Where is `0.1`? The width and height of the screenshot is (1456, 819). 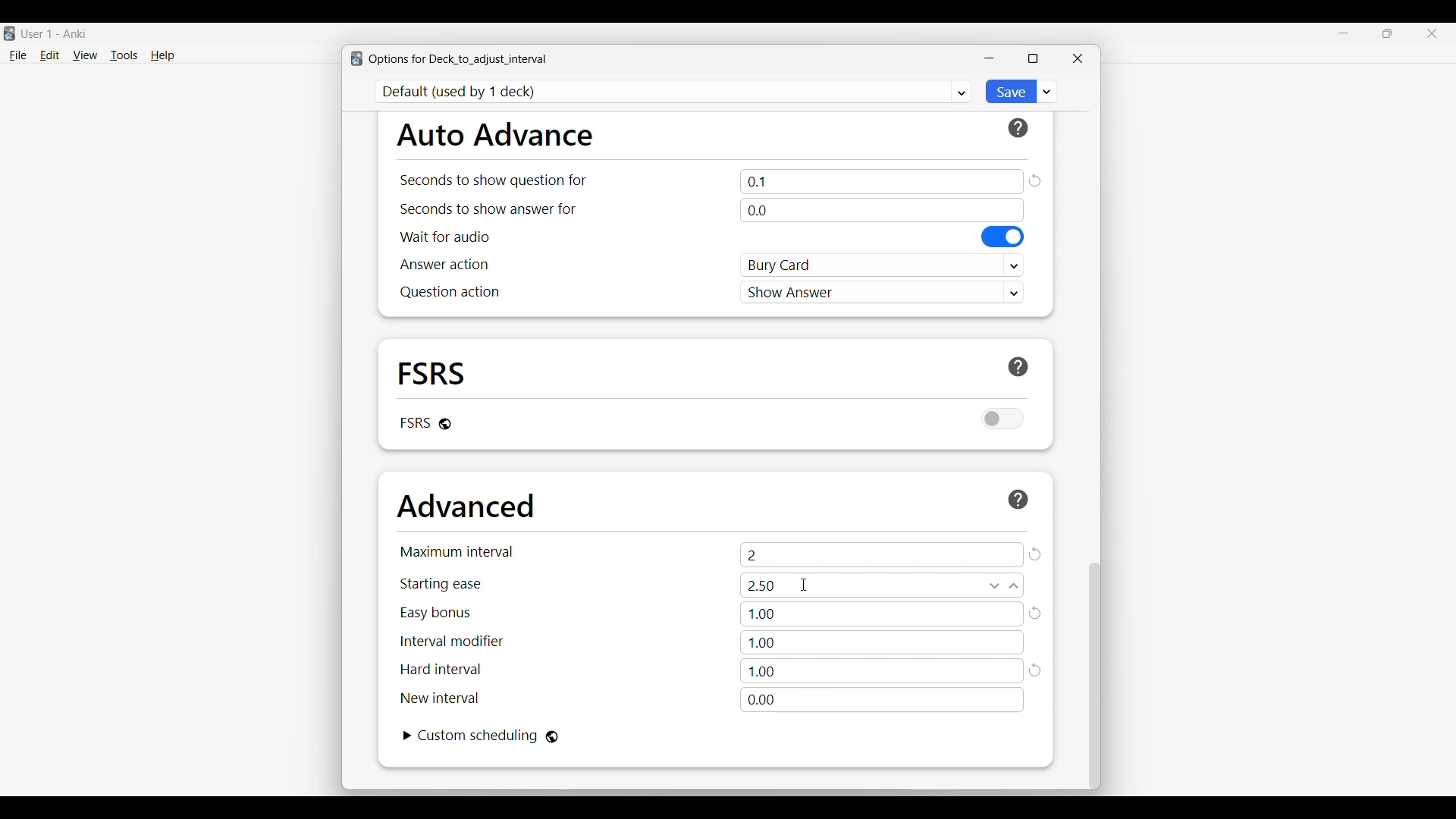
0.1 is located at coordinates (882, 181).